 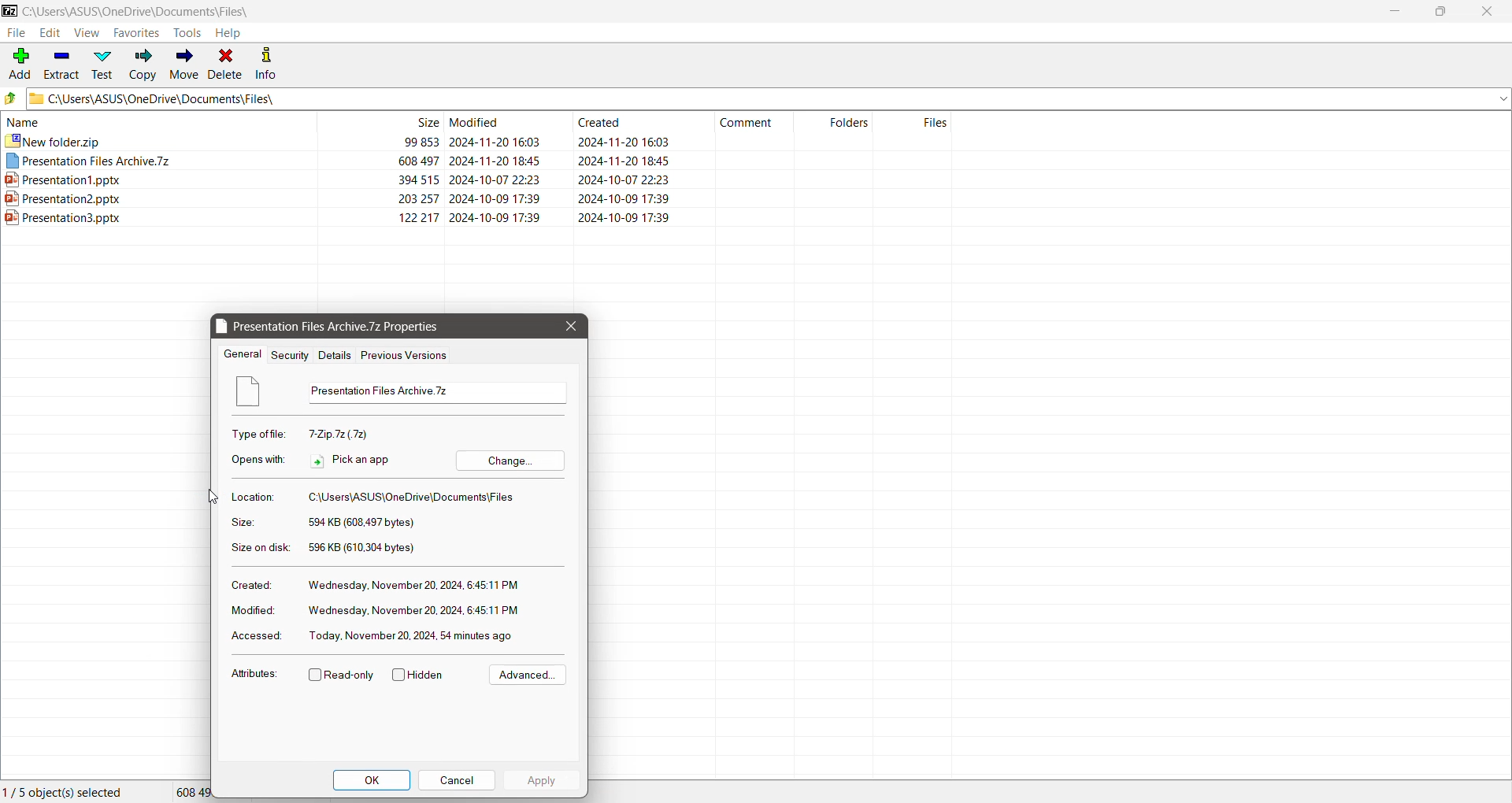 I want to click on Archive File Name, so click(x=435, y=392).